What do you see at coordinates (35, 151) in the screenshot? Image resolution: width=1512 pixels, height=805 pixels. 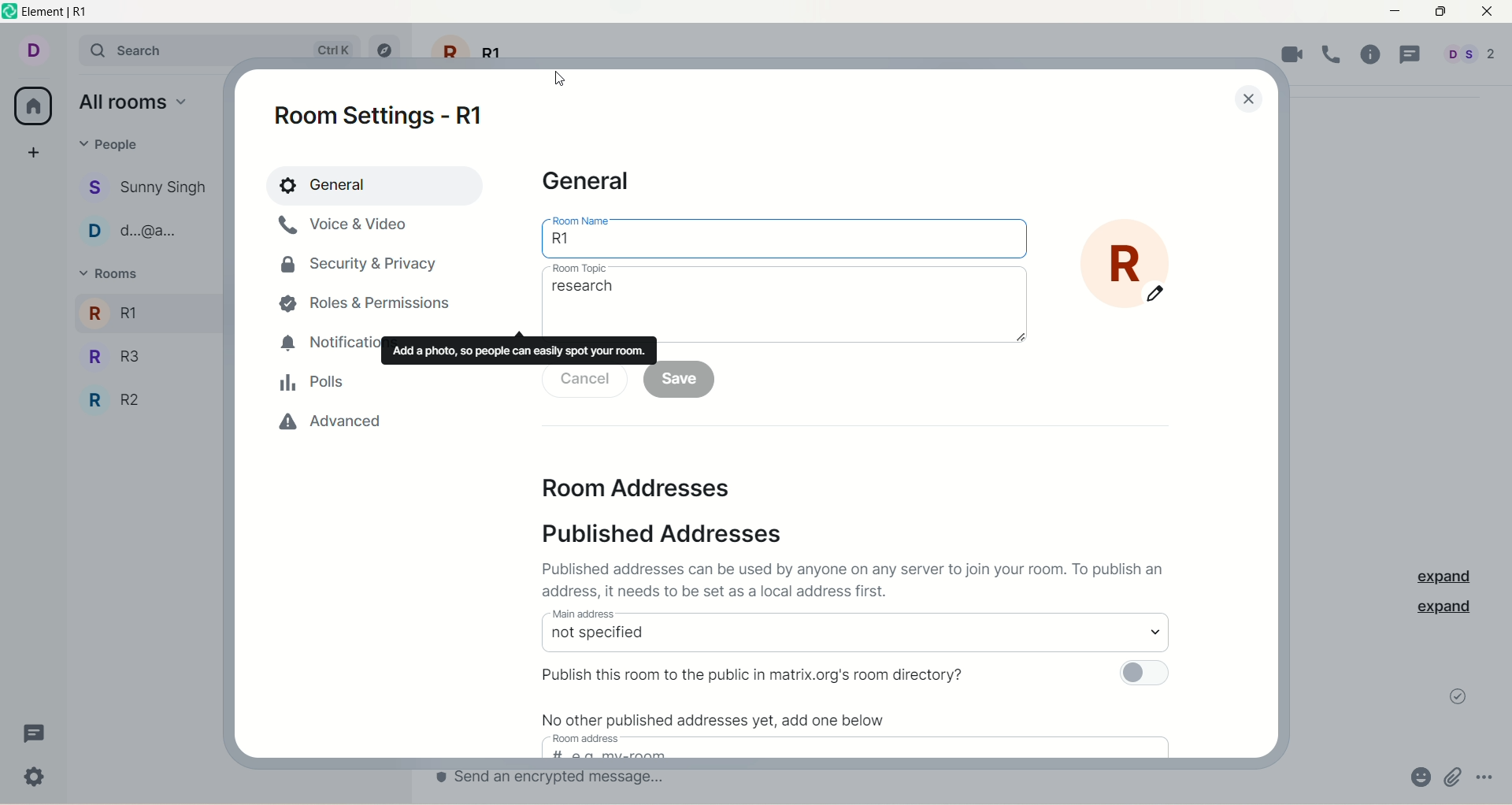 I see `create a space` at bounding box center [35, 151].